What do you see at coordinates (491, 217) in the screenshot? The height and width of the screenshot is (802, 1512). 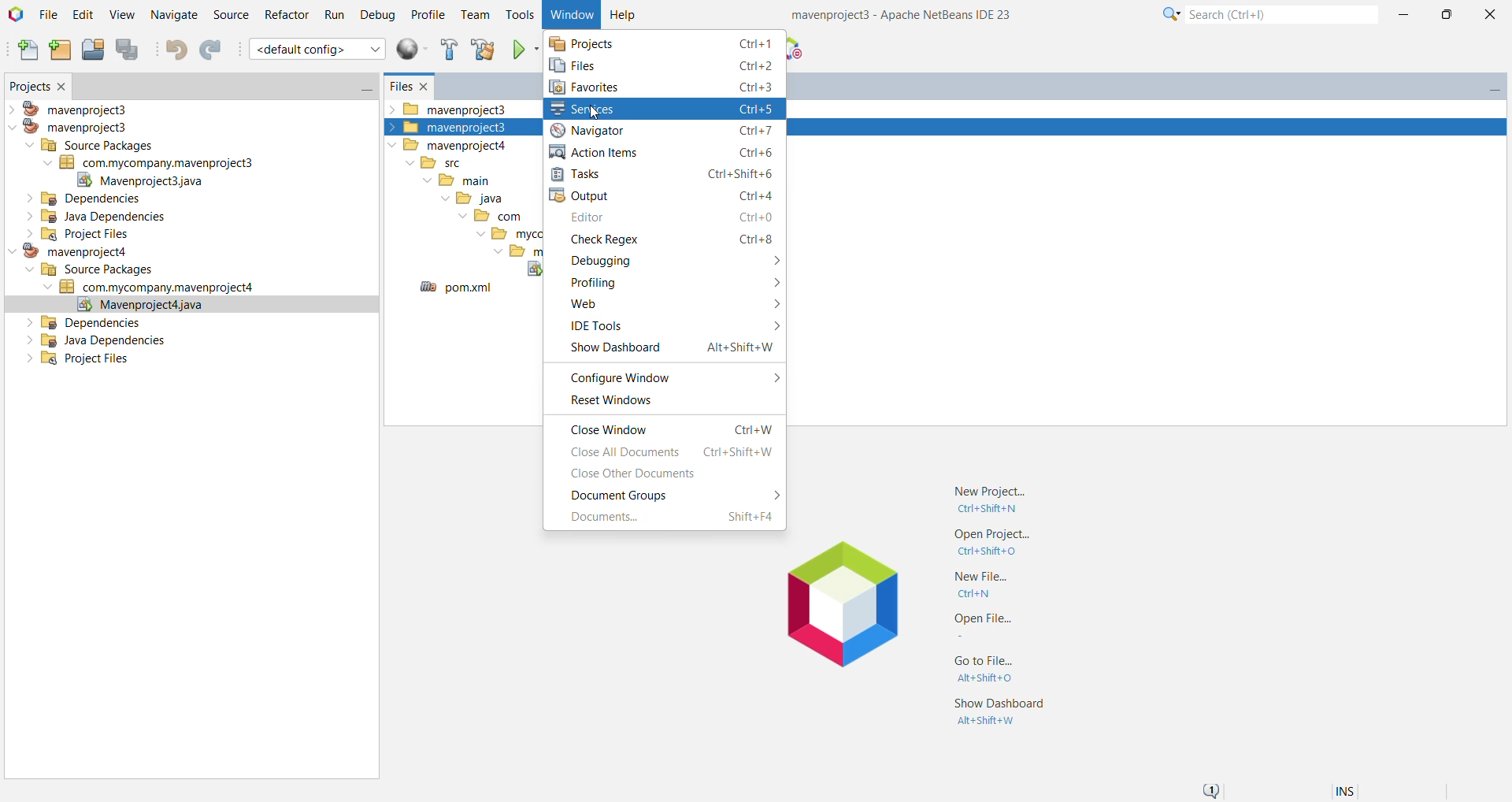 I see `com` at bounding box center [491, 217].